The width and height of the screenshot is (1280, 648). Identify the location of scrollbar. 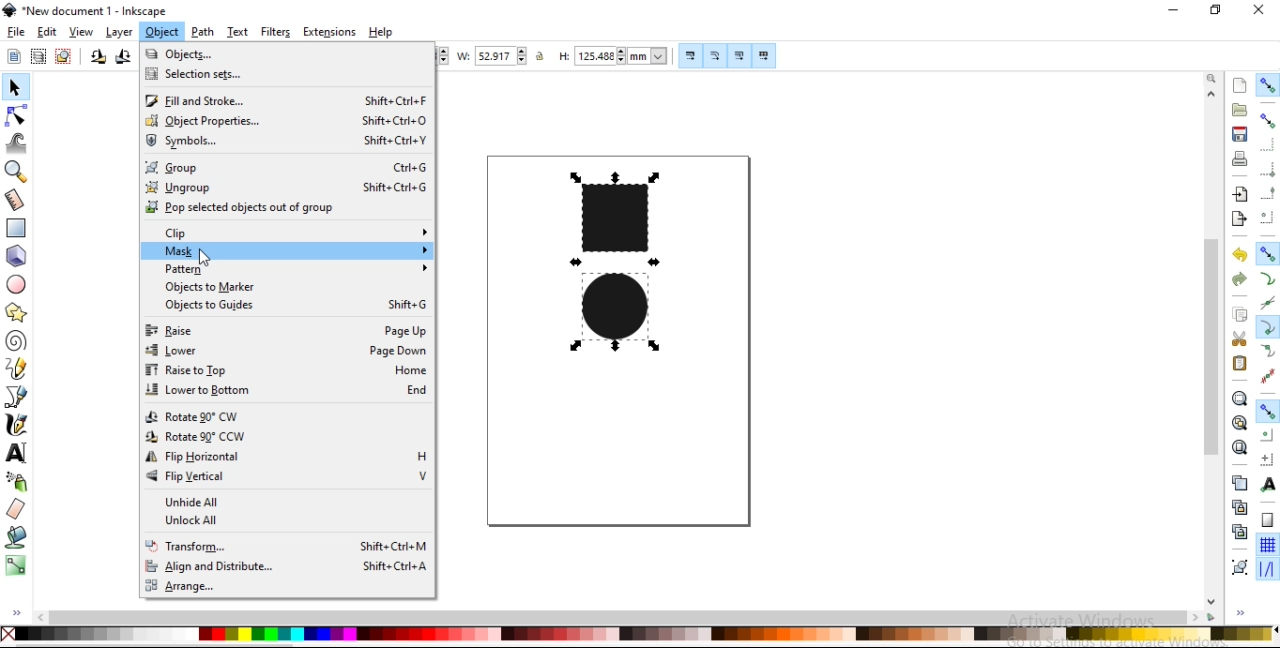
(618, 616).